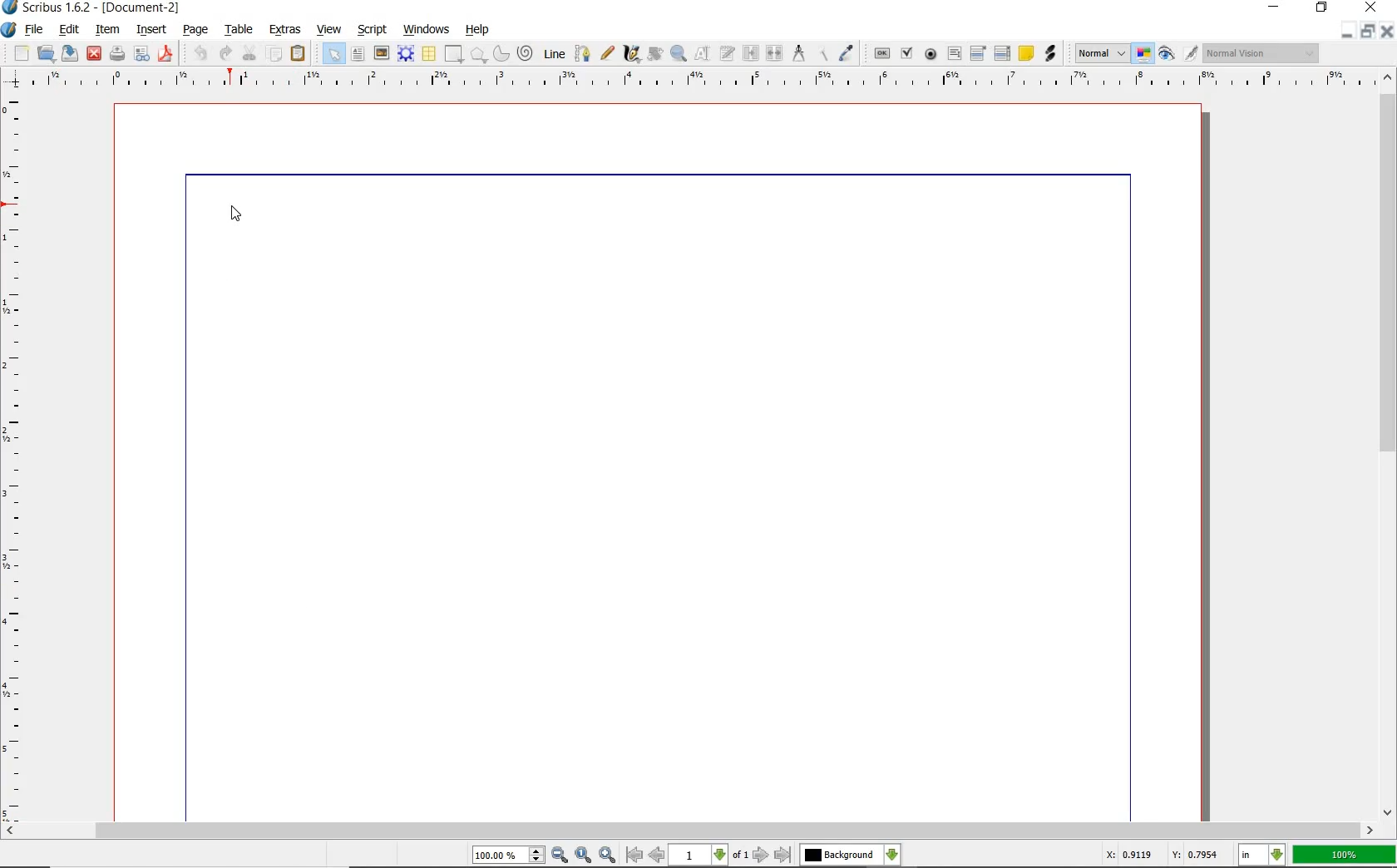 This screenshot has width=1397, height=868. What do you see at coordinates (658, 856) in the screenshot?
I see `go to previous page` at bounding box center [658, 856].